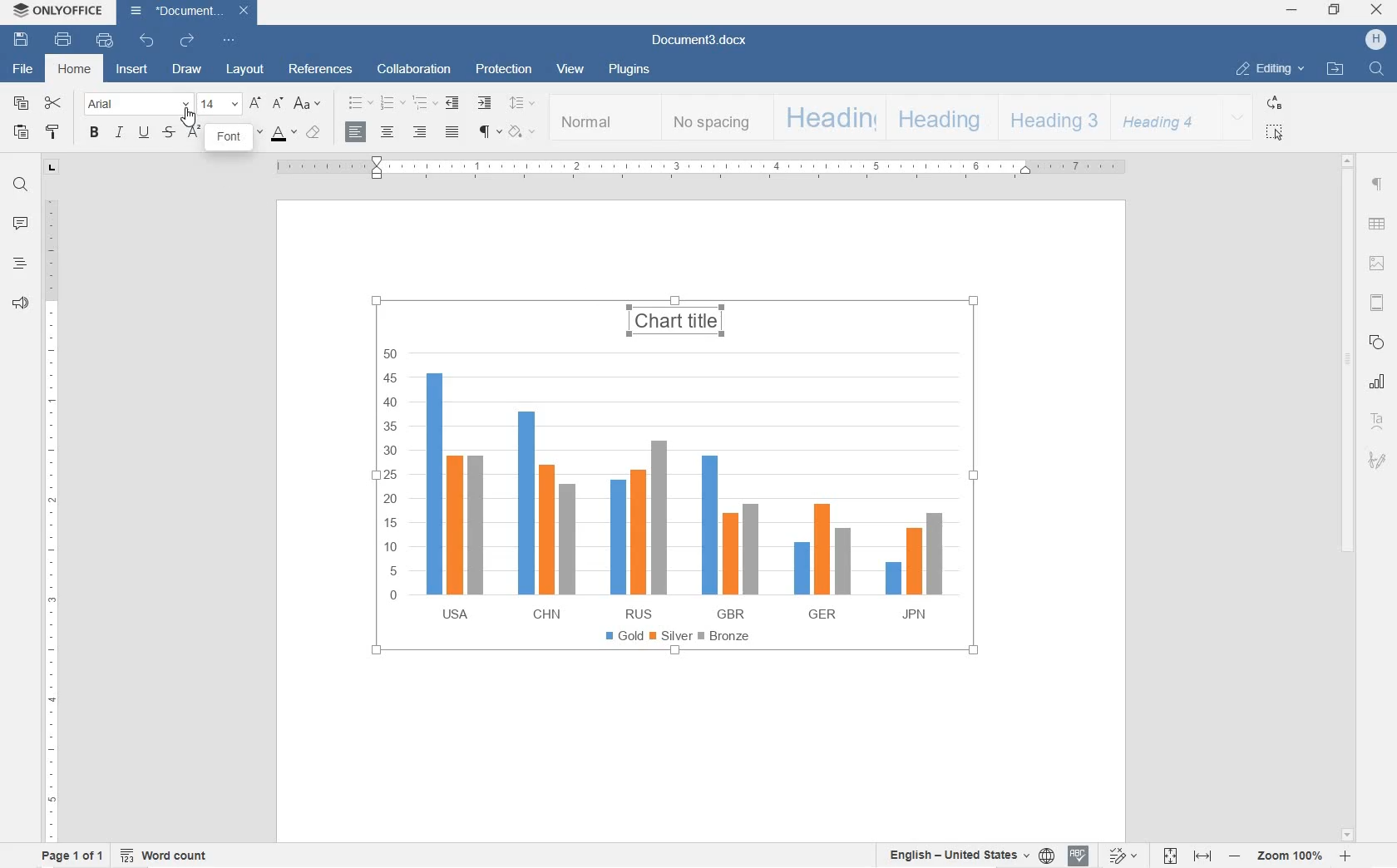 The height and width of the screenshot is (868, 1397). Describe the element at coordinates (168, 856) in the screenshot. I see `WORD COUNT` at that location.